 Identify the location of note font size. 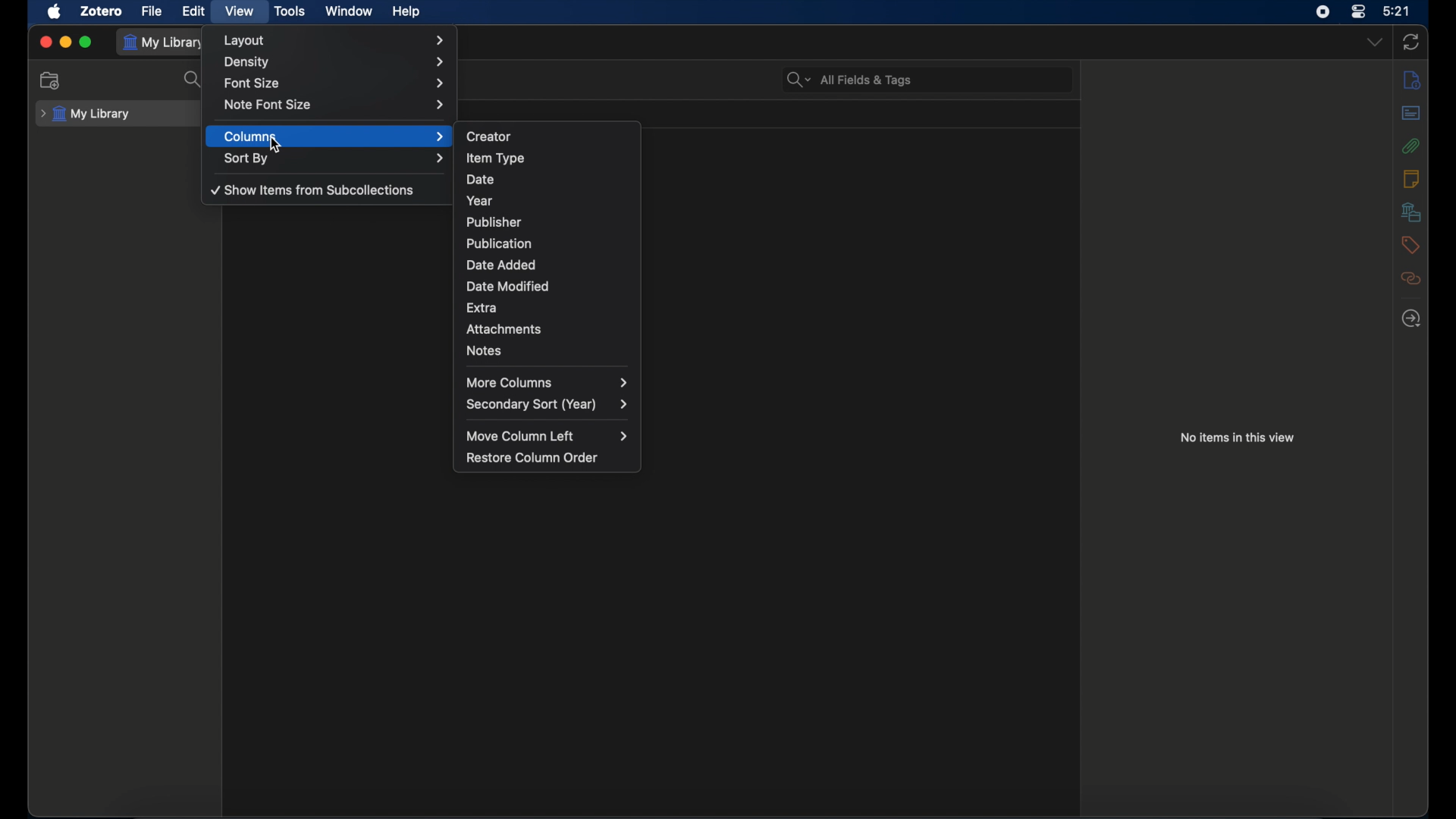
(337, 104).